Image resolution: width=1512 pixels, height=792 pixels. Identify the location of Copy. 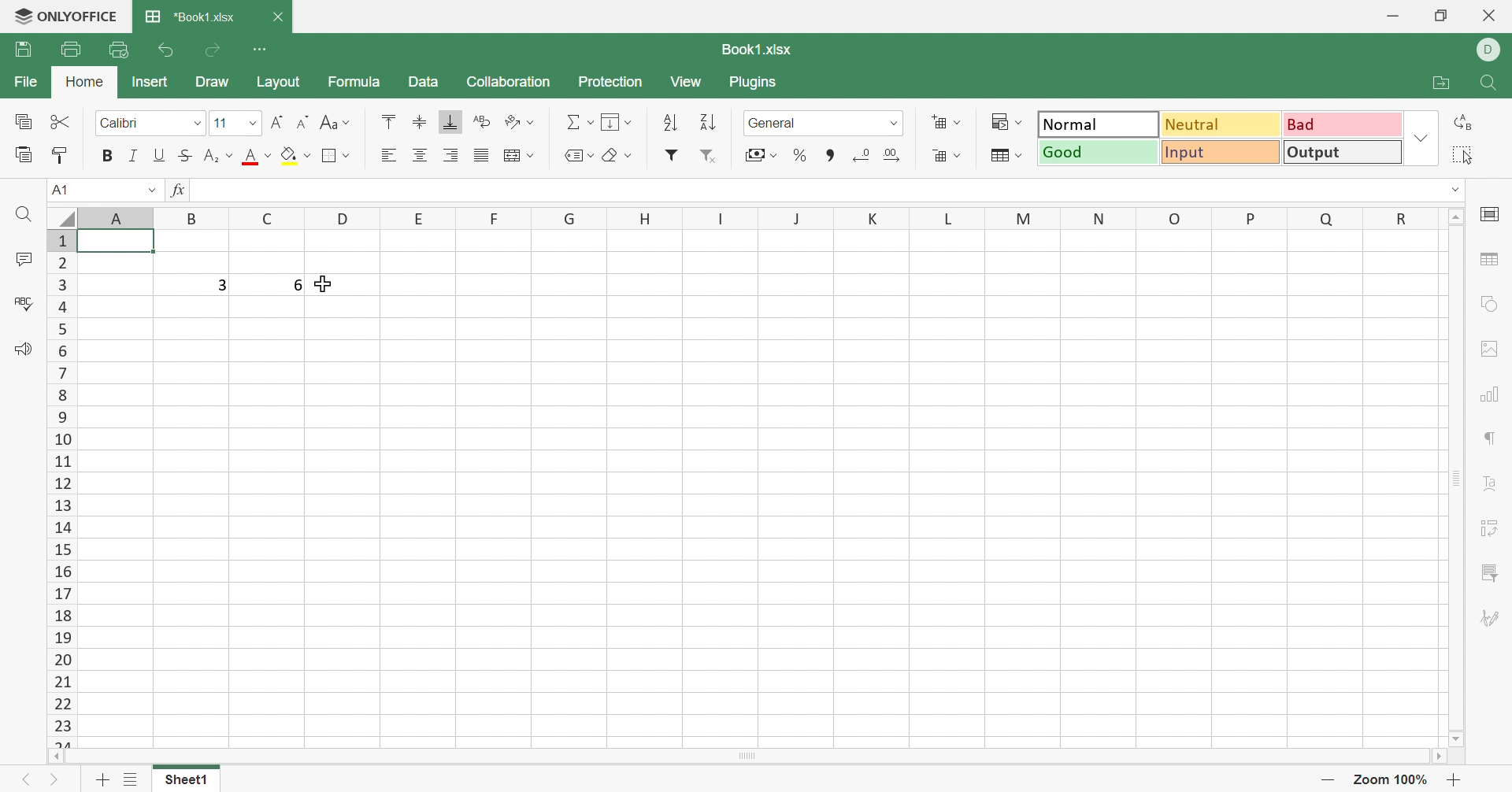
(23, 120).